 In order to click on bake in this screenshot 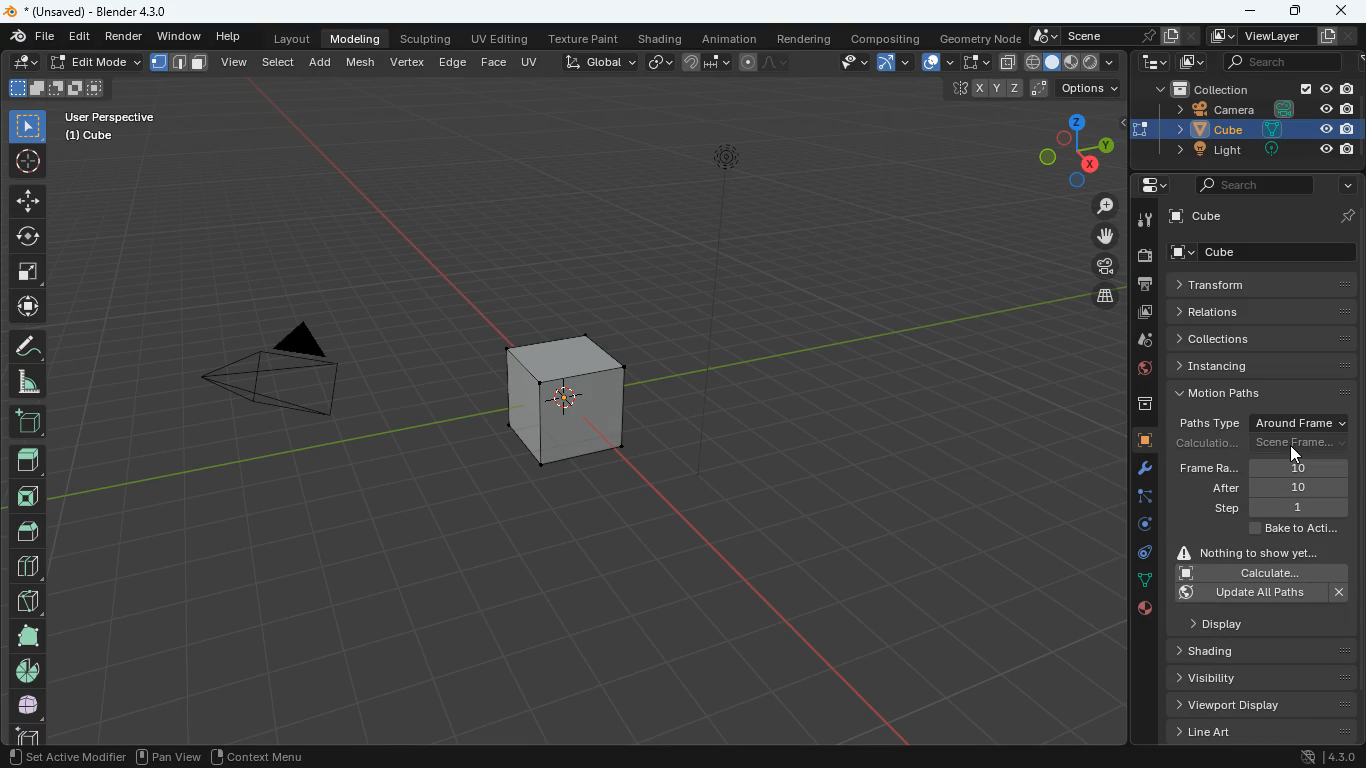, I will do `click(1289, 530)`.